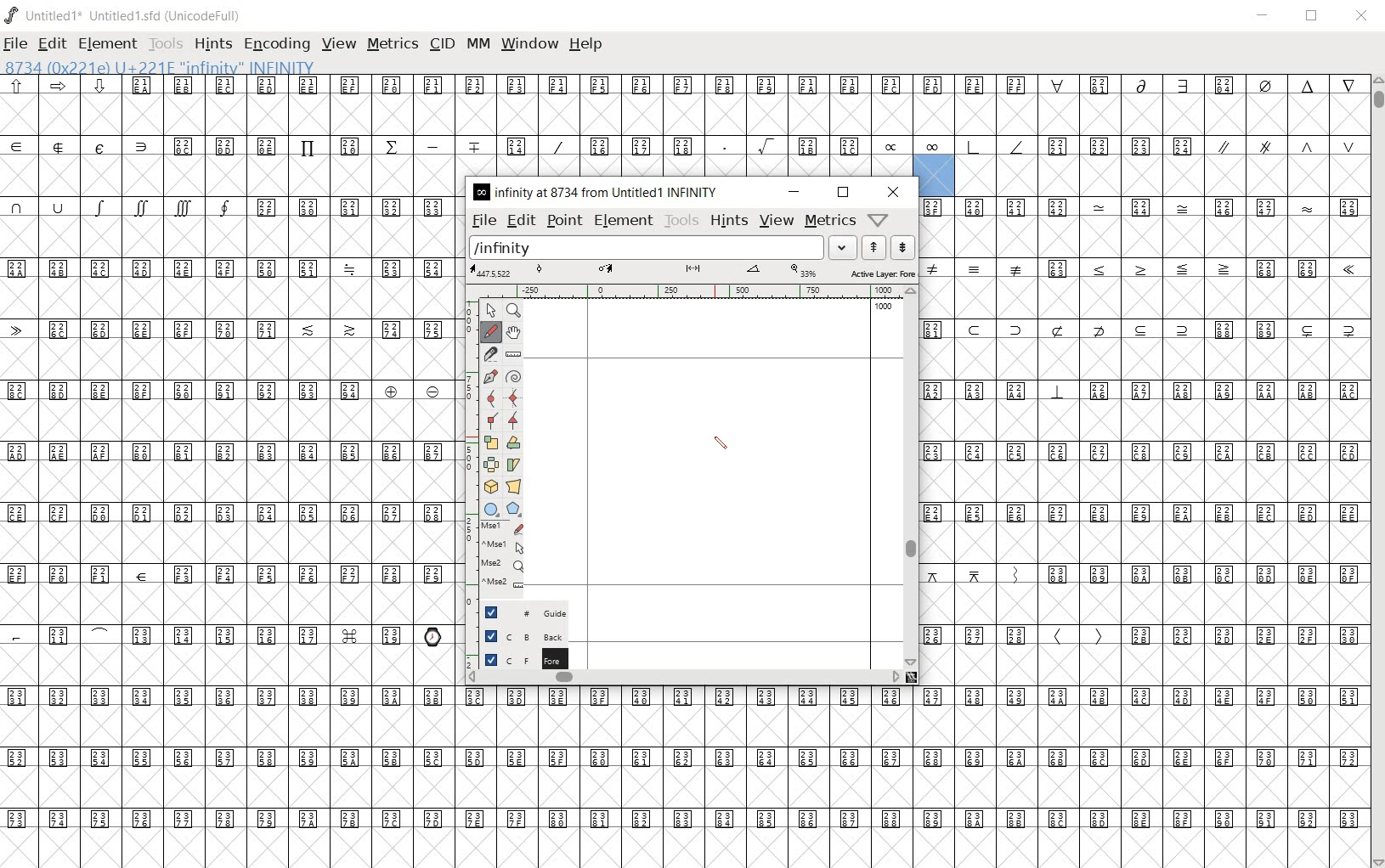  What do you see at coordinates (1354, 206) in the screenshot?
I see `small letters a b` at bounding box center [1354, 206].